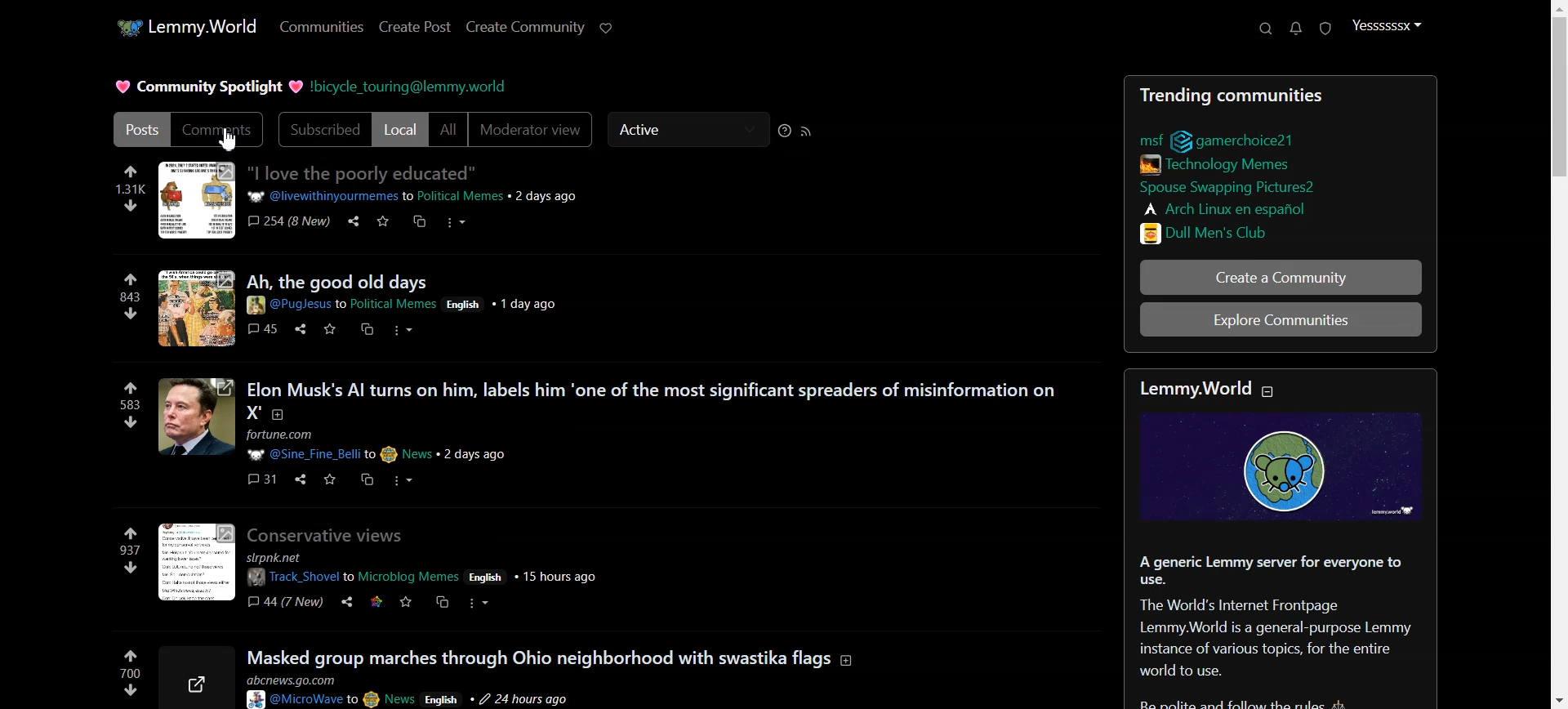  Describe the element at coordinates (1386, 25) in the screenshot. I see `Profile` at that location.